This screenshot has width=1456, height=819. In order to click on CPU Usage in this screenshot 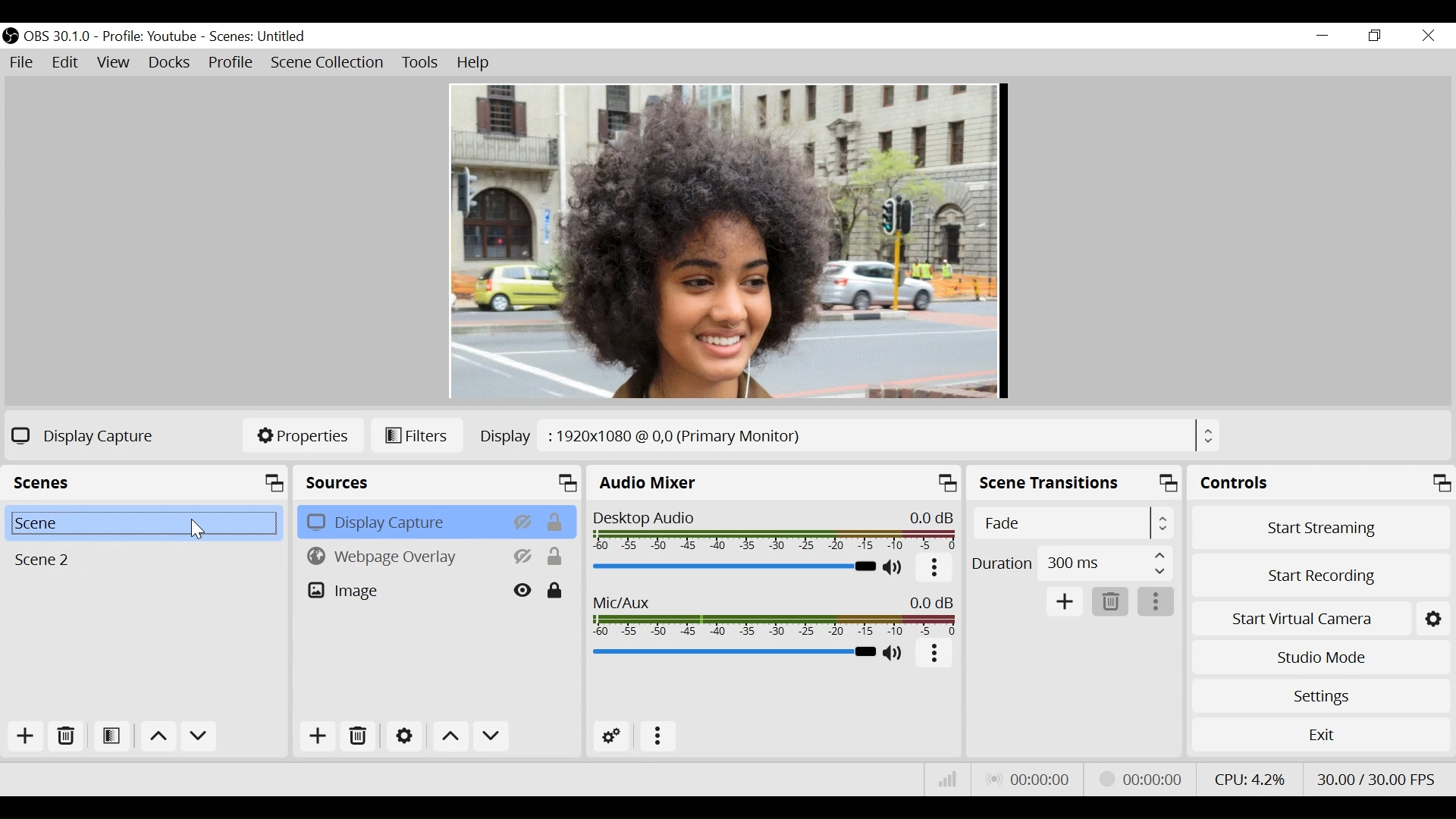, I will do `click(1250, 778)`.